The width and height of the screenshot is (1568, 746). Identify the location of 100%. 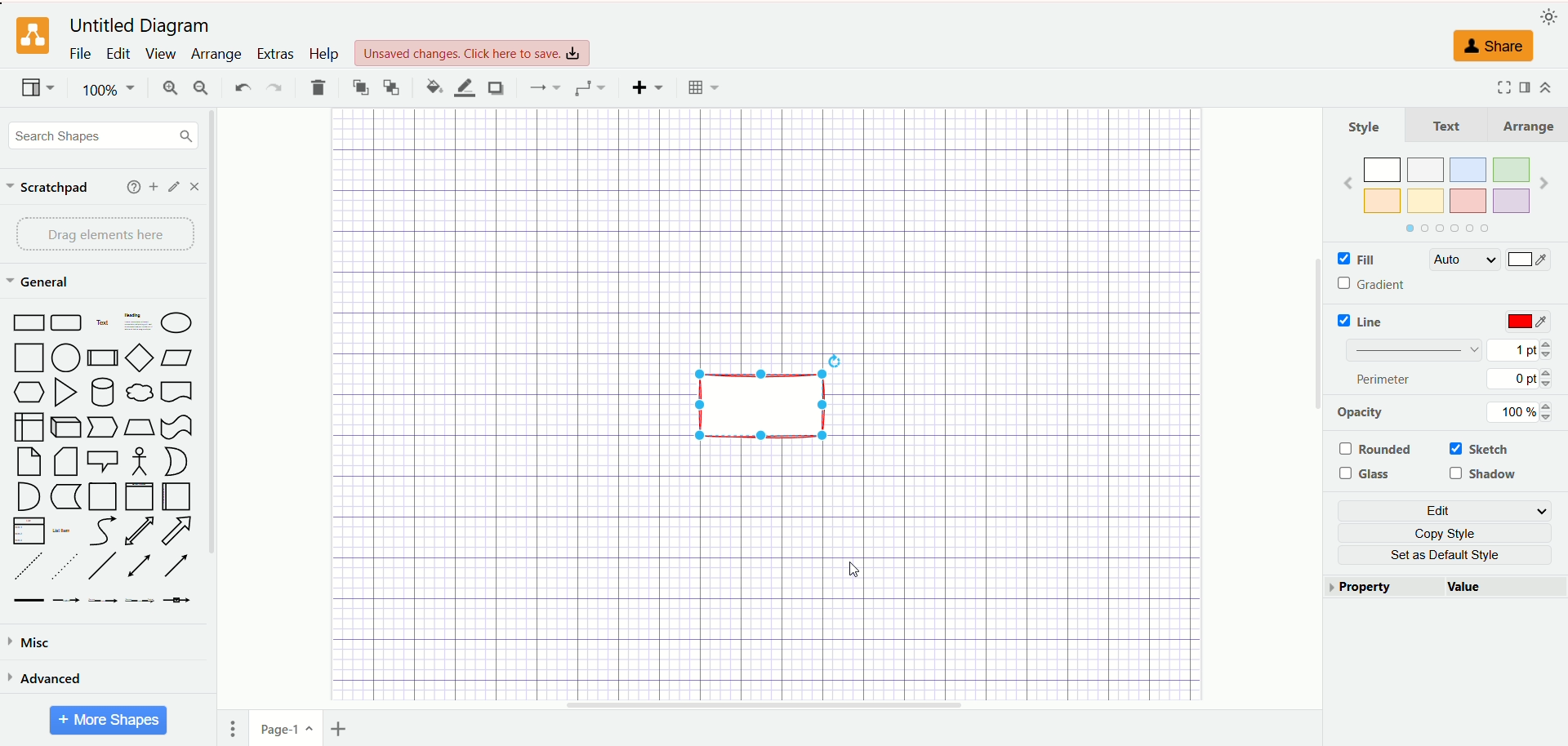
(1519, 411).